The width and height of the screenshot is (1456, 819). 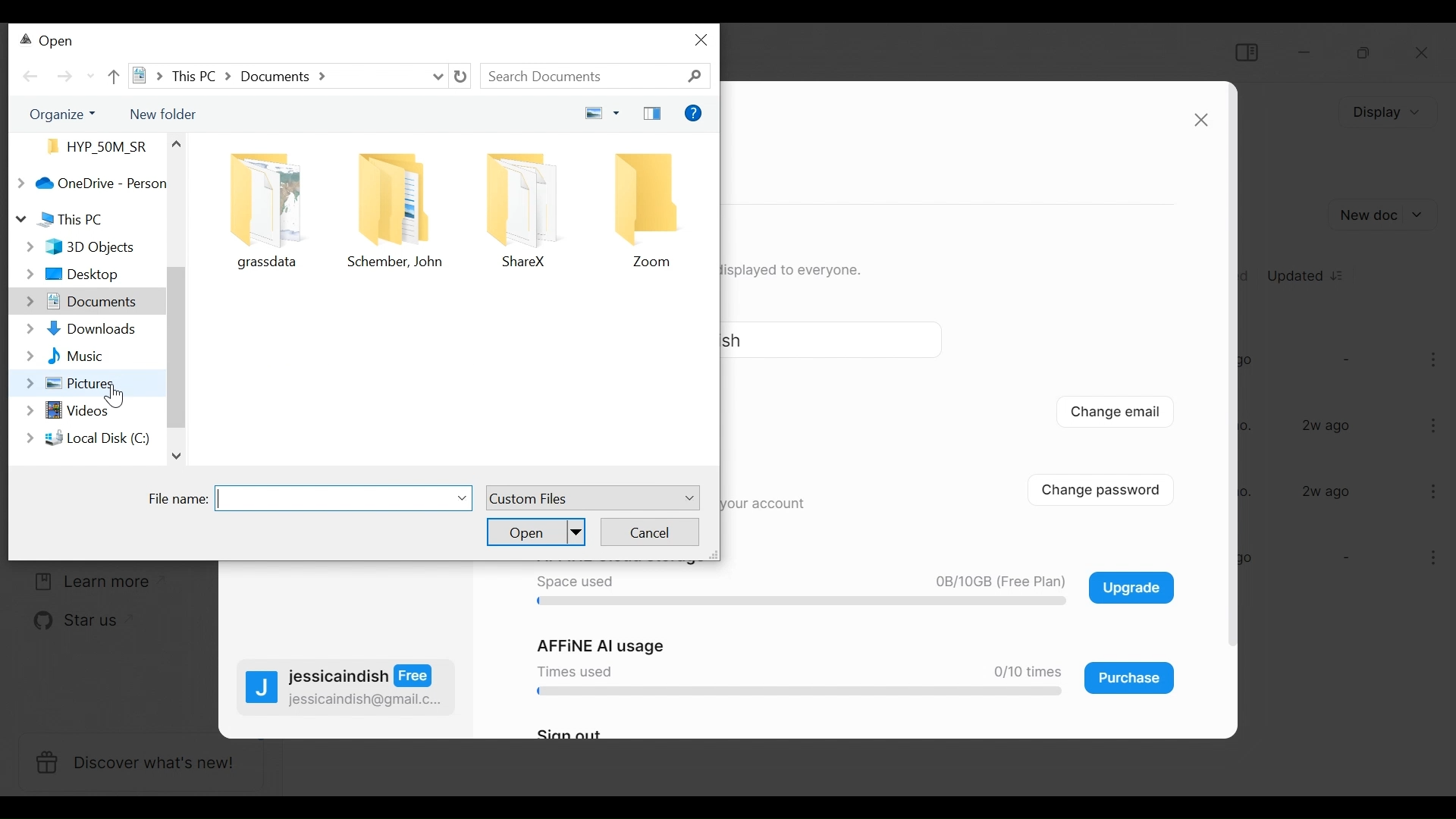 I want to click on Schember, John, so click(x=400, y=263).